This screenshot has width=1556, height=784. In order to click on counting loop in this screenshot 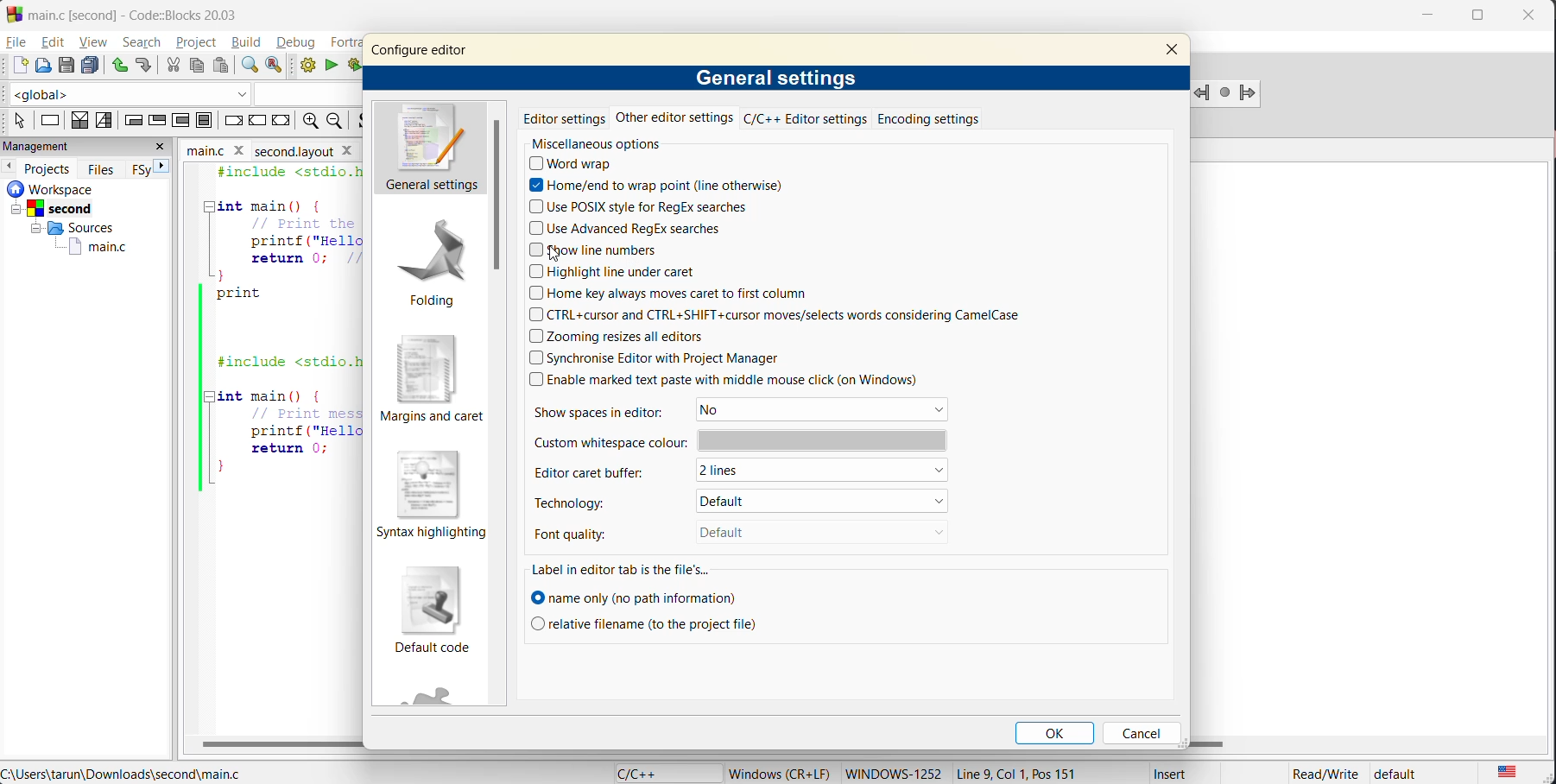, I will do `click(178, 119)`.